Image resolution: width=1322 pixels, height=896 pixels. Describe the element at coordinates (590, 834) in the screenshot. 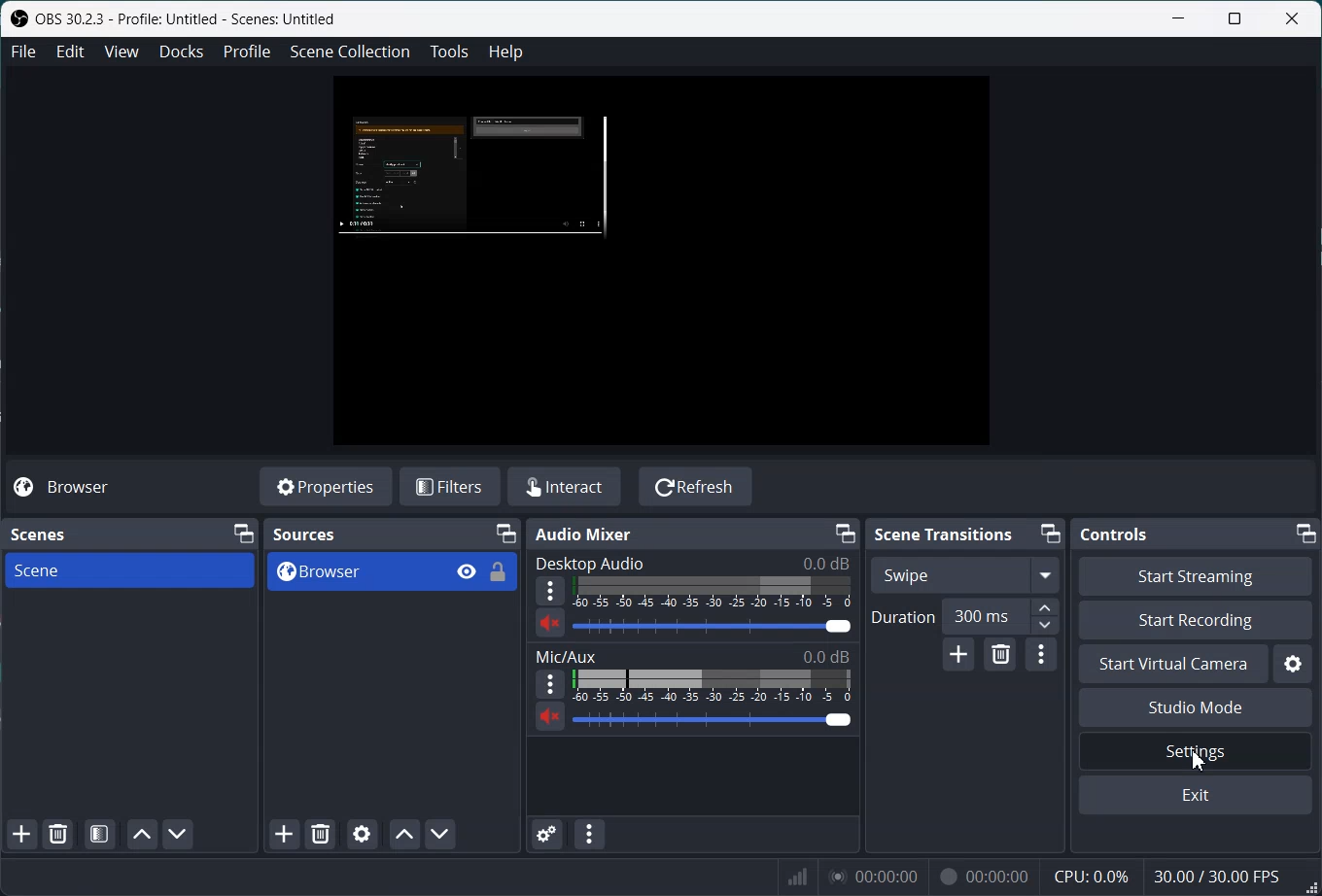

I see `Audio mixer menu` at that location.